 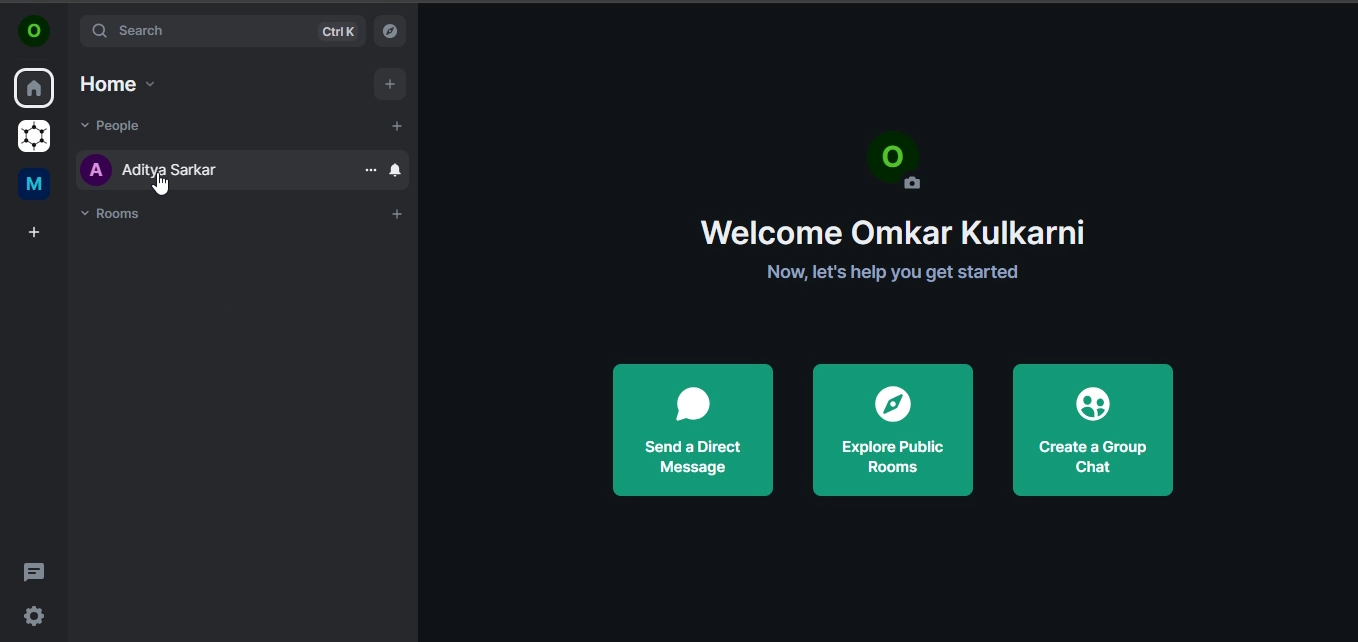 I want to click on create a group chat, so click(x=1091, y=427).